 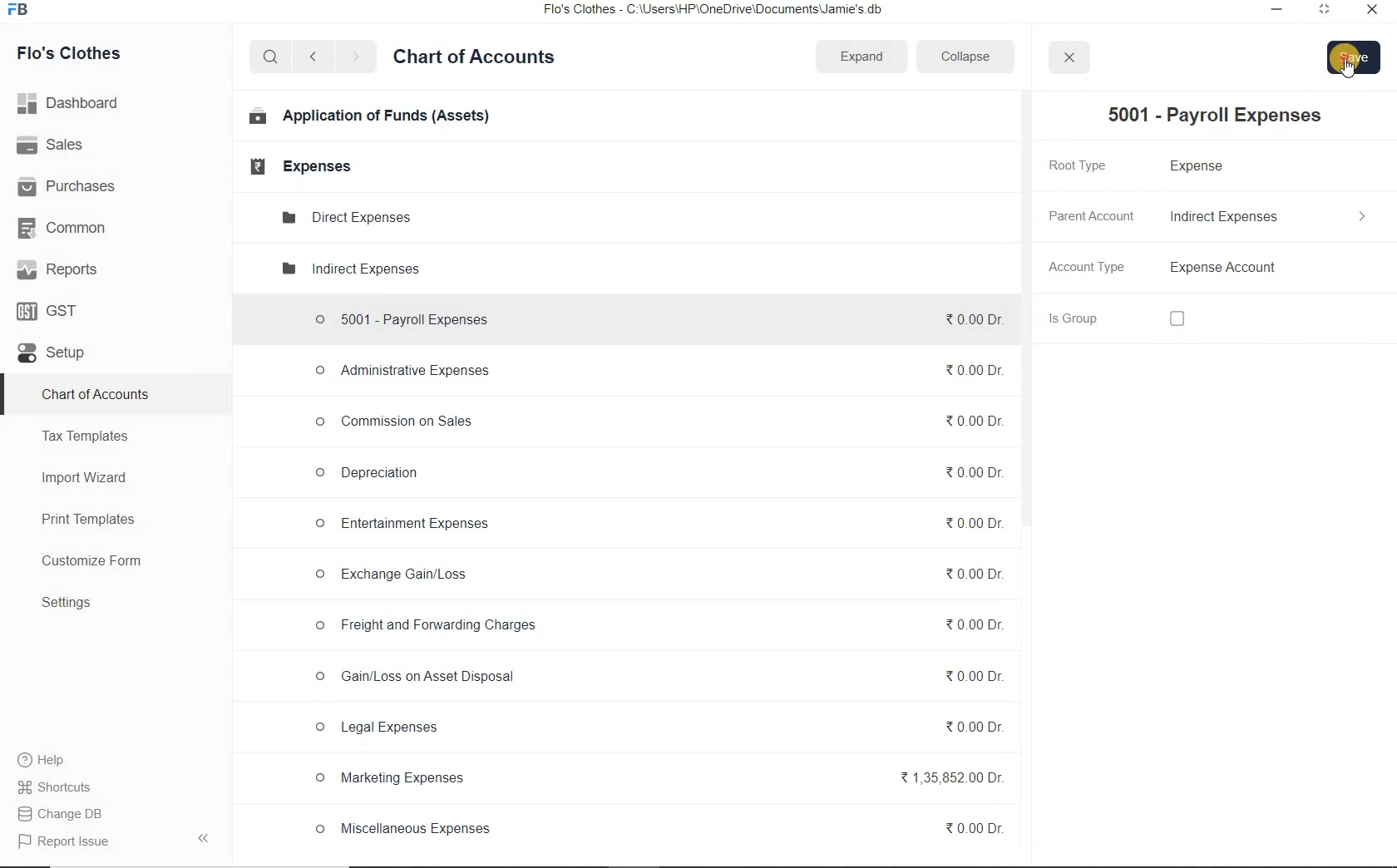 What do you see at coordinates (268, 57) in the screenshot?
I see `search` at bounding box center [268, 57].